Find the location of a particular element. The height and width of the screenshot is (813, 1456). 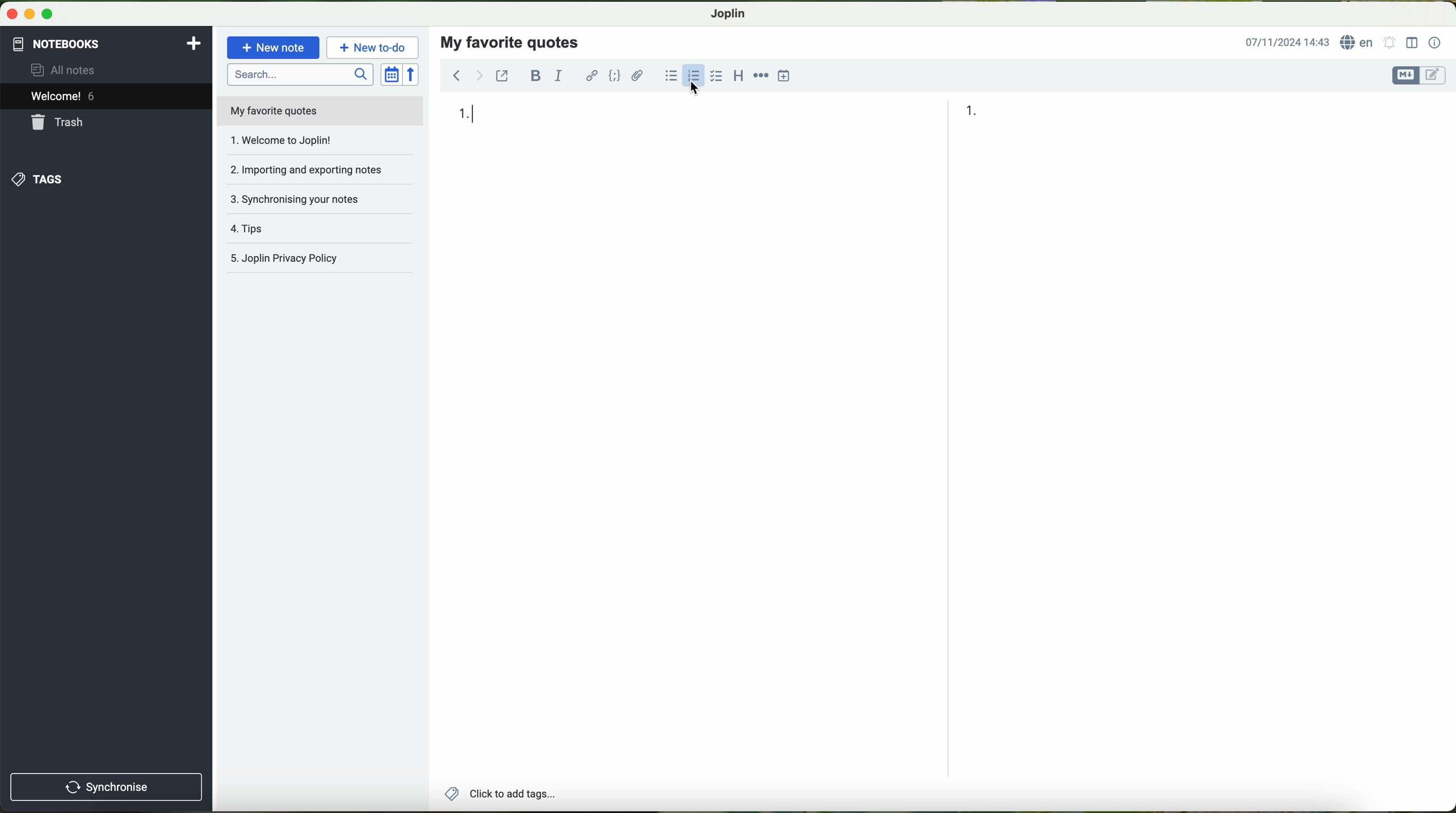

1. is located at coordinates (467, 114).